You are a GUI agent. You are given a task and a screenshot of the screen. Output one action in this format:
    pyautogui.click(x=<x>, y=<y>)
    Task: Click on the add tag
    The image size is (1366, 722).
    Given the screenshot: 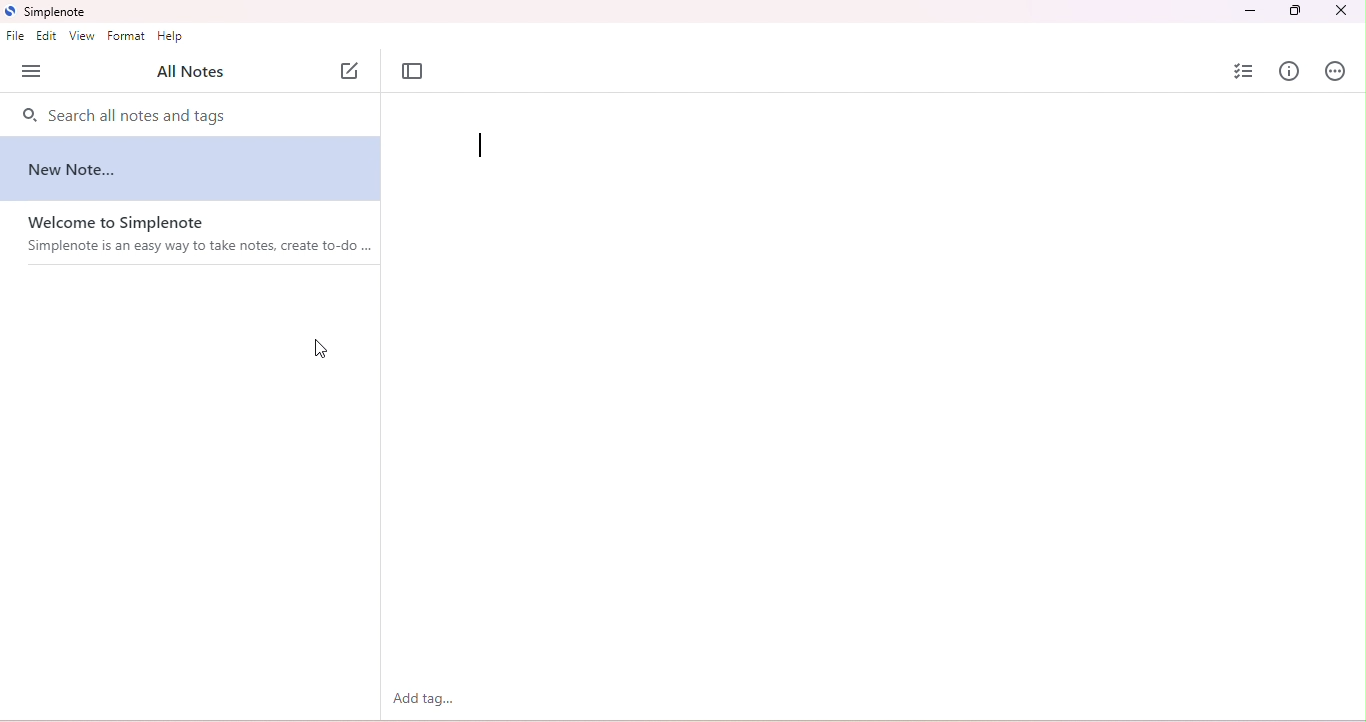 What is the action you would take?
    pyautogui.click(x=426, y=699)
    